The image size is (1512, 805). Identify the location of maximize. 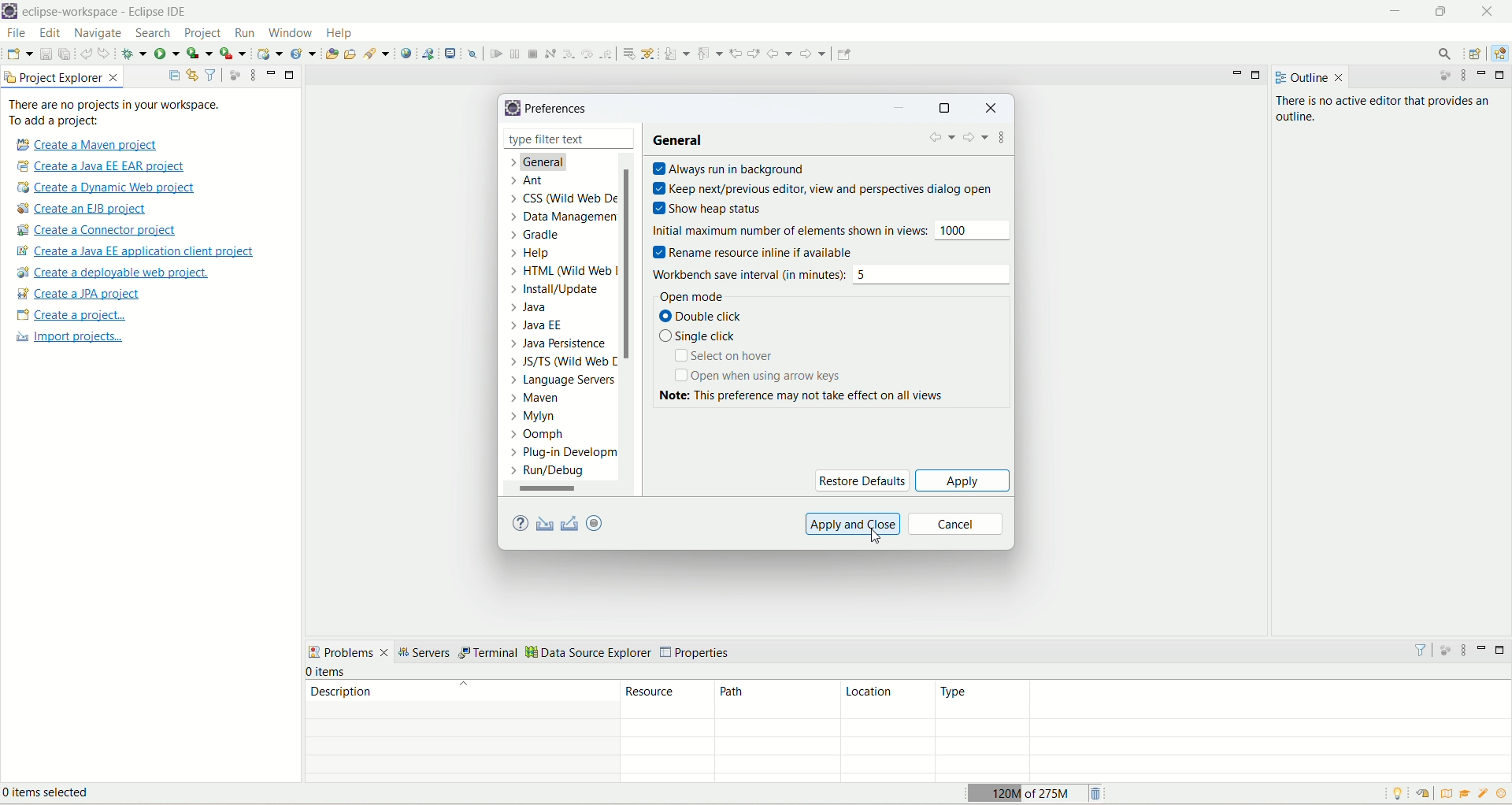
(1503, 650).